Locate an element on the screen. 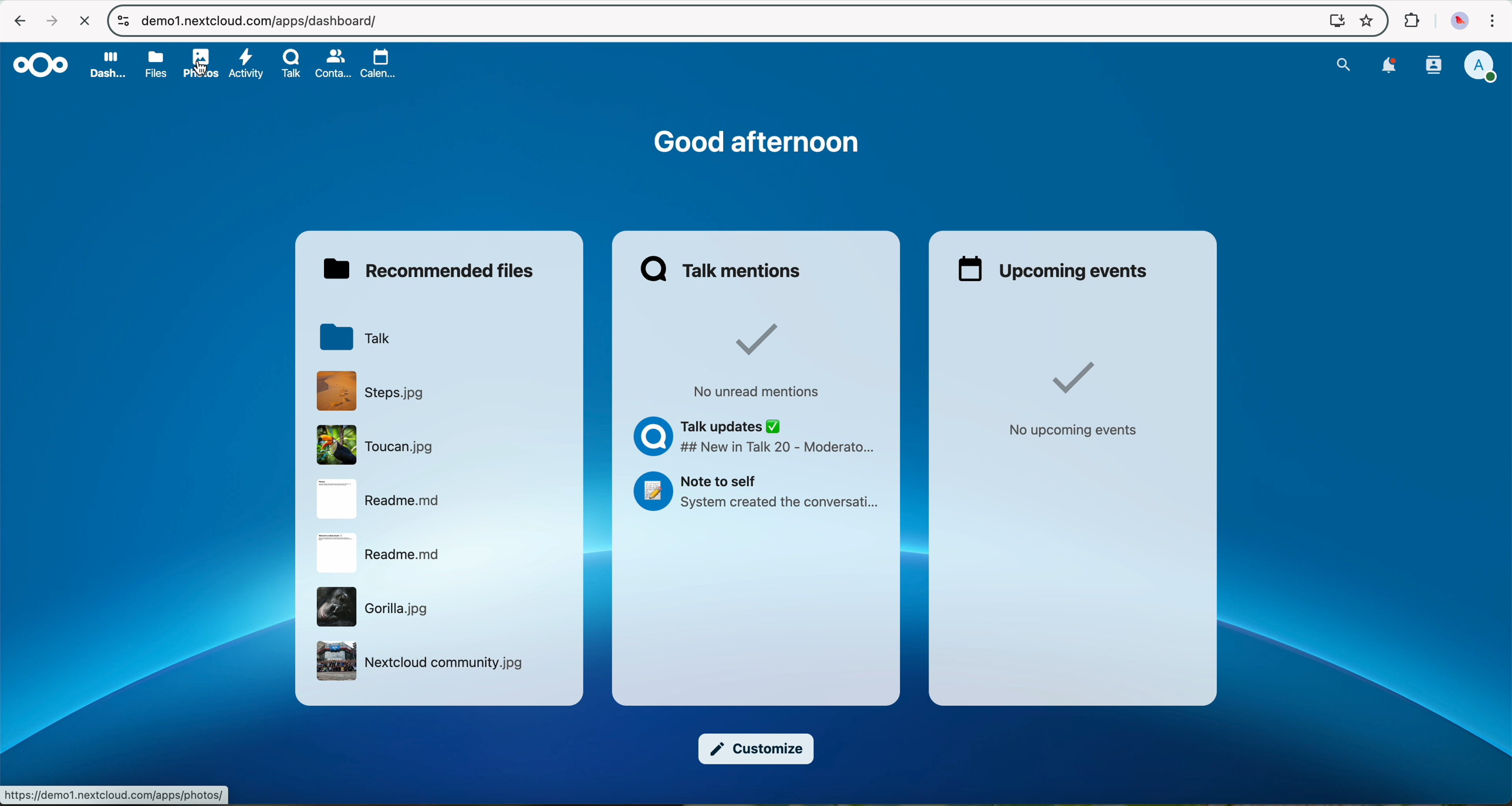 The width and height of the screenshot is (1512, 806). Talk updates is located at coordinates (758, 438).